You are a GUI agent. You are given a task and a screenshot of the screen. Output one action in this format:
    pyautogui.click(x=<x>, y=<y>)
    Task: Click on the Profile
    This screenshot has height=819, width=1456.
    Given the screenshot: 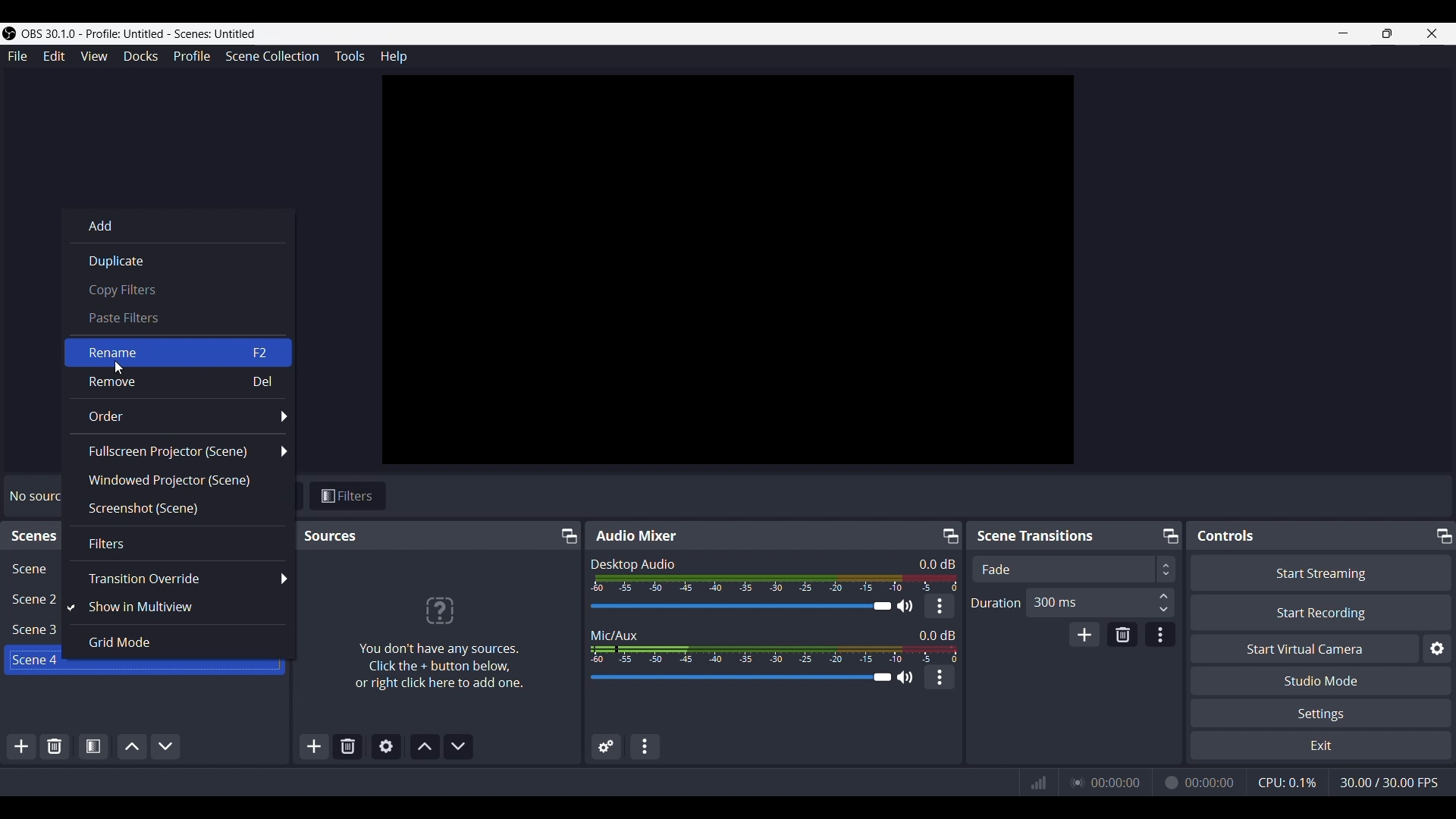 What is the action you would take?
    pyautogui.click(x=193, y=55)
    